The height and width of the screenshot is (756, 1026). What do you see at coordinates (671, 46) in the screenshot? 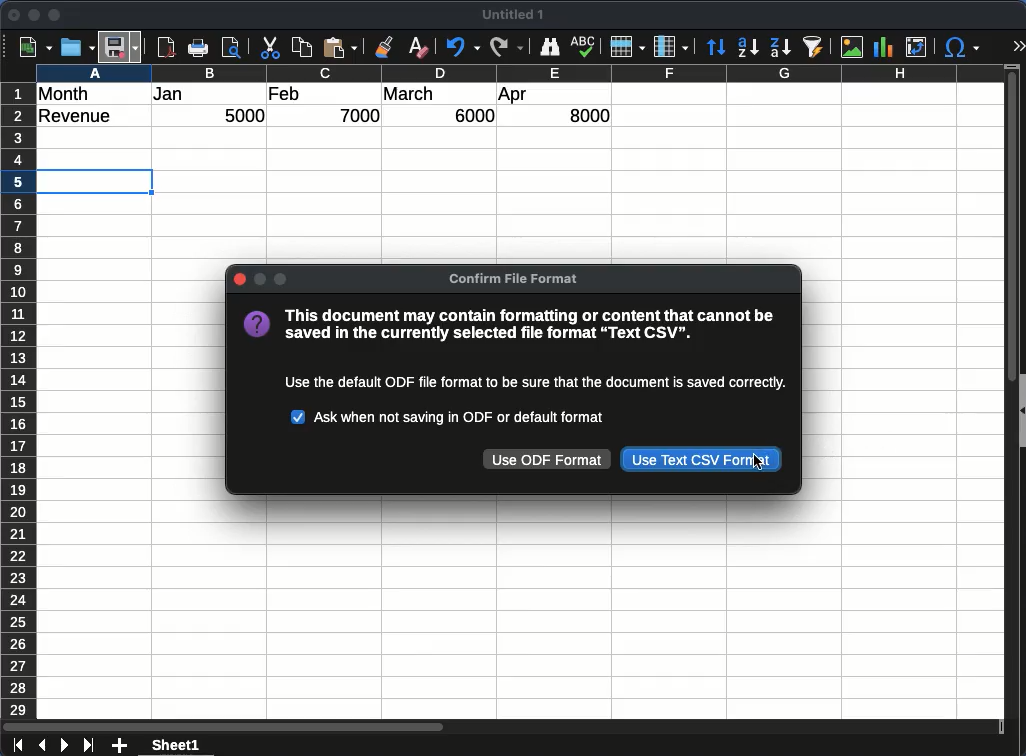
I see `column` at bounding box center [671, 46].